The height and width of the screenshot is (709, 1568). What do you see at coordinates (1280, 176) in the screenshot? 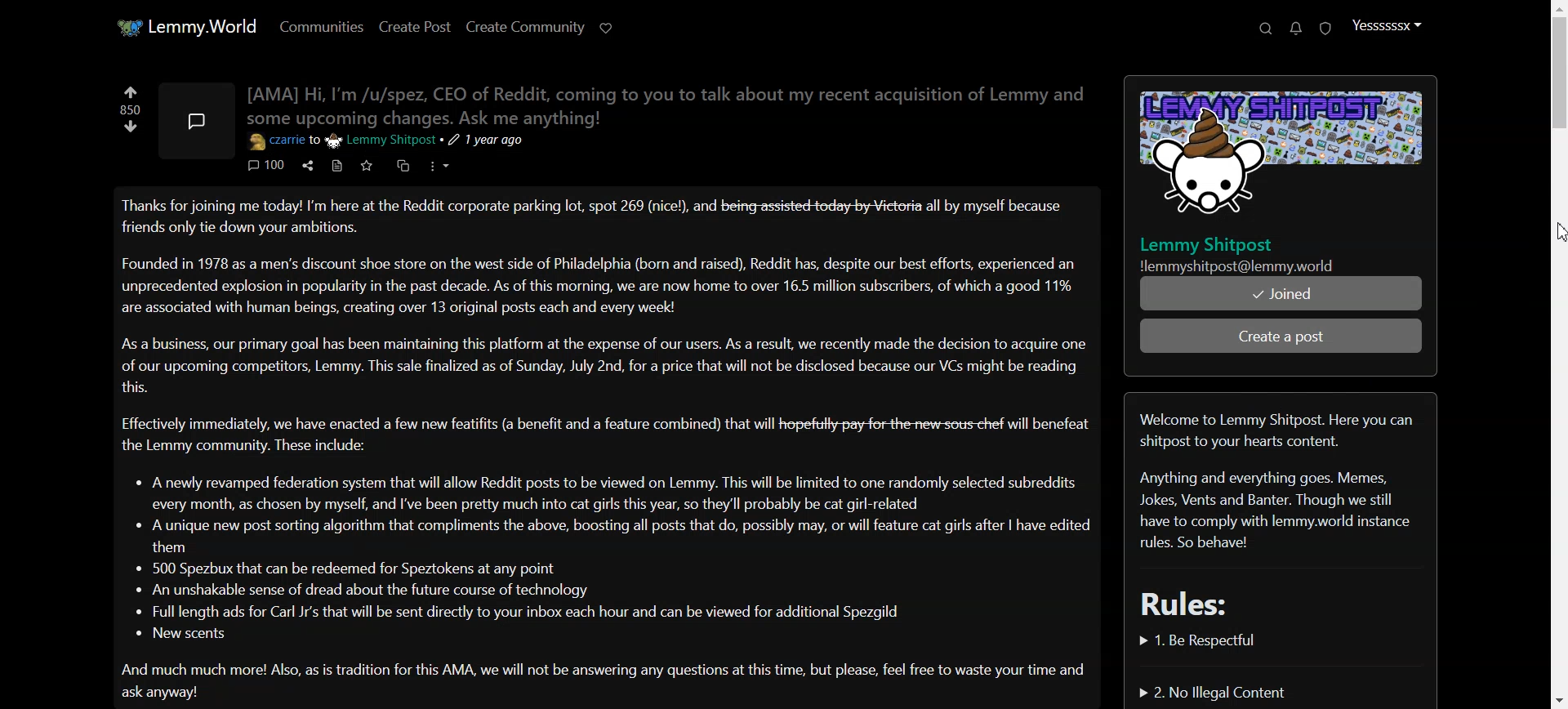
I see `Logo and hyperlink` at bounding box center [1280, 176].